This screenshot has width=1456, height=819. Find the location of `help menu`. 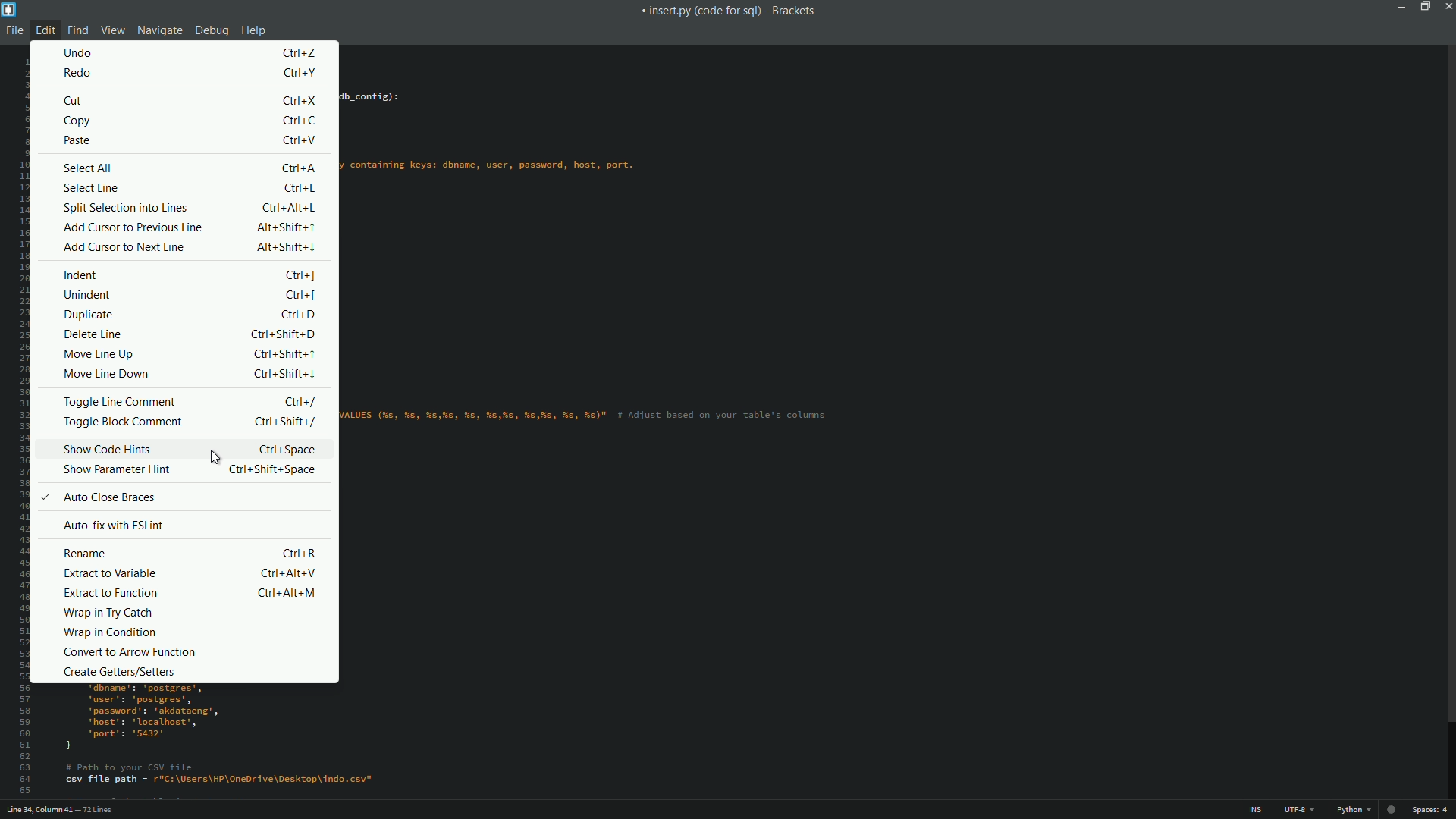

help menu is located at coordinates (254, 32).